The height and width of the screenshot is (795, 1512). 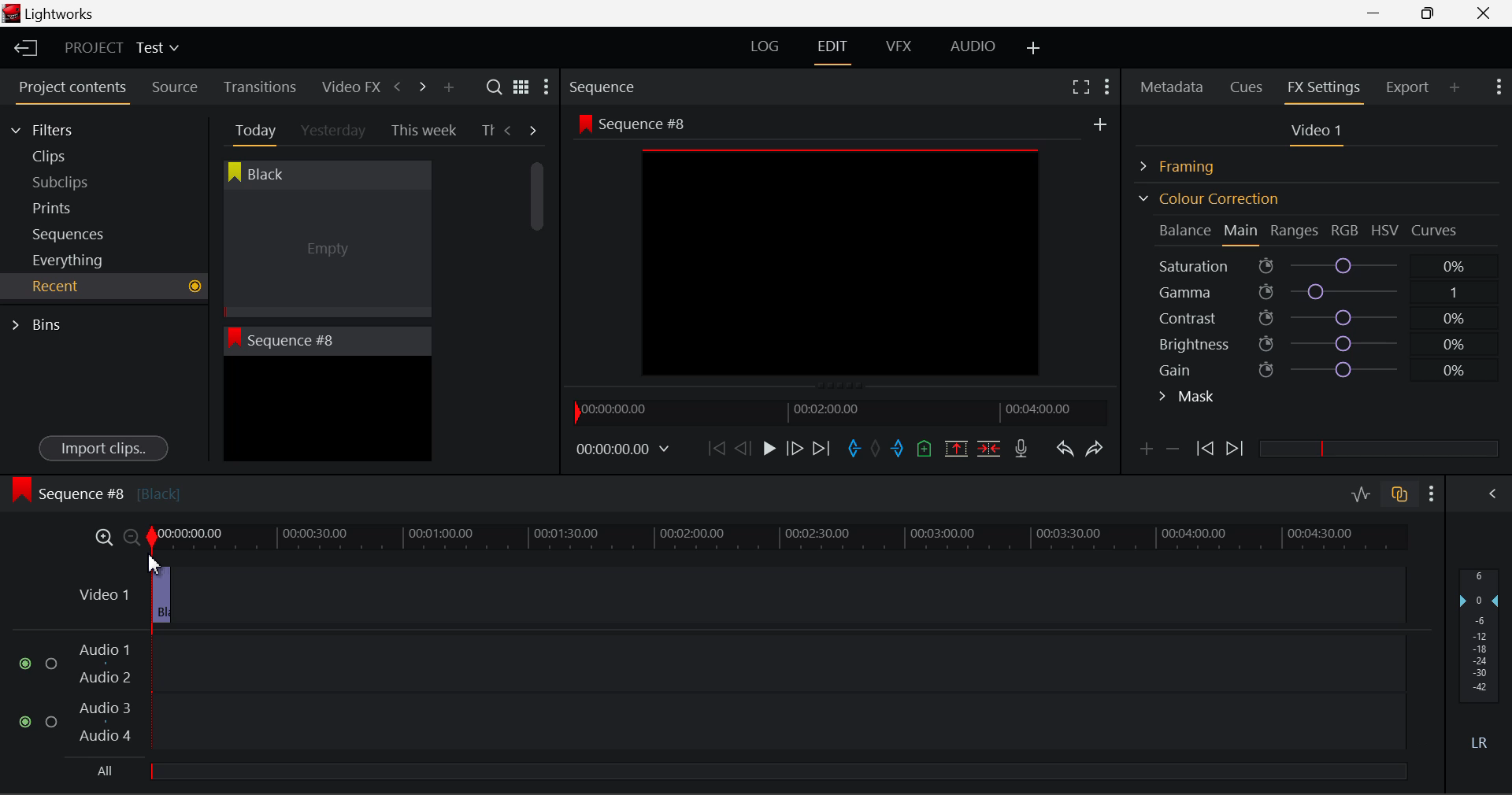 I want to click on Ranges, so click(x=1295, y=232).